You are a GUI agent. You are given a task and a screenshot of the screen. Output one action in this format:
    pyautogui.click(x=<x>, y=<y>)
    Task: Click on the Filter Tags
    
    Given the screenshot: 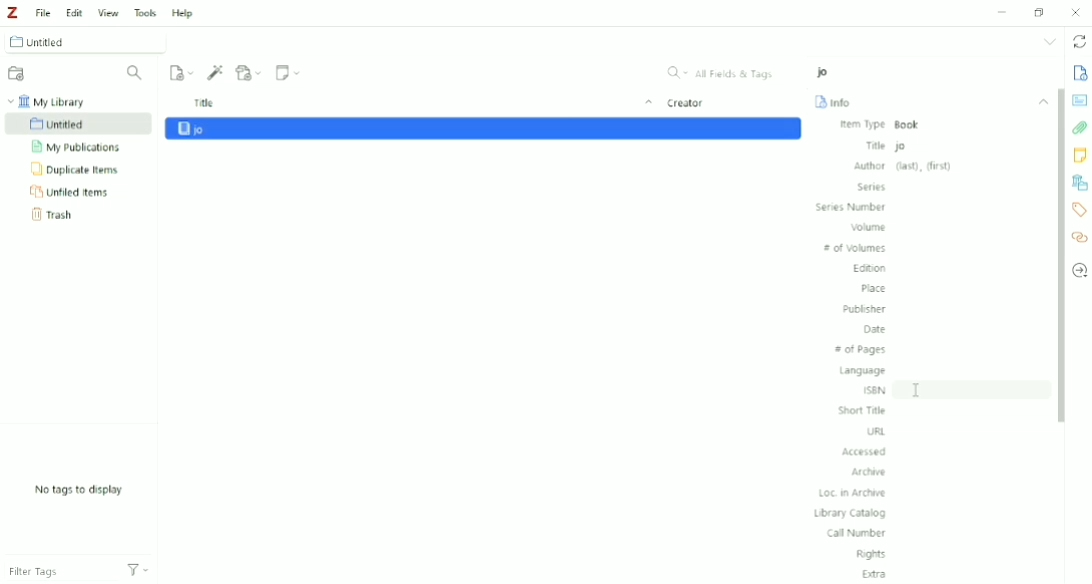 What is the action you would take?
    pyautogui.click(x=77, y=571)
    